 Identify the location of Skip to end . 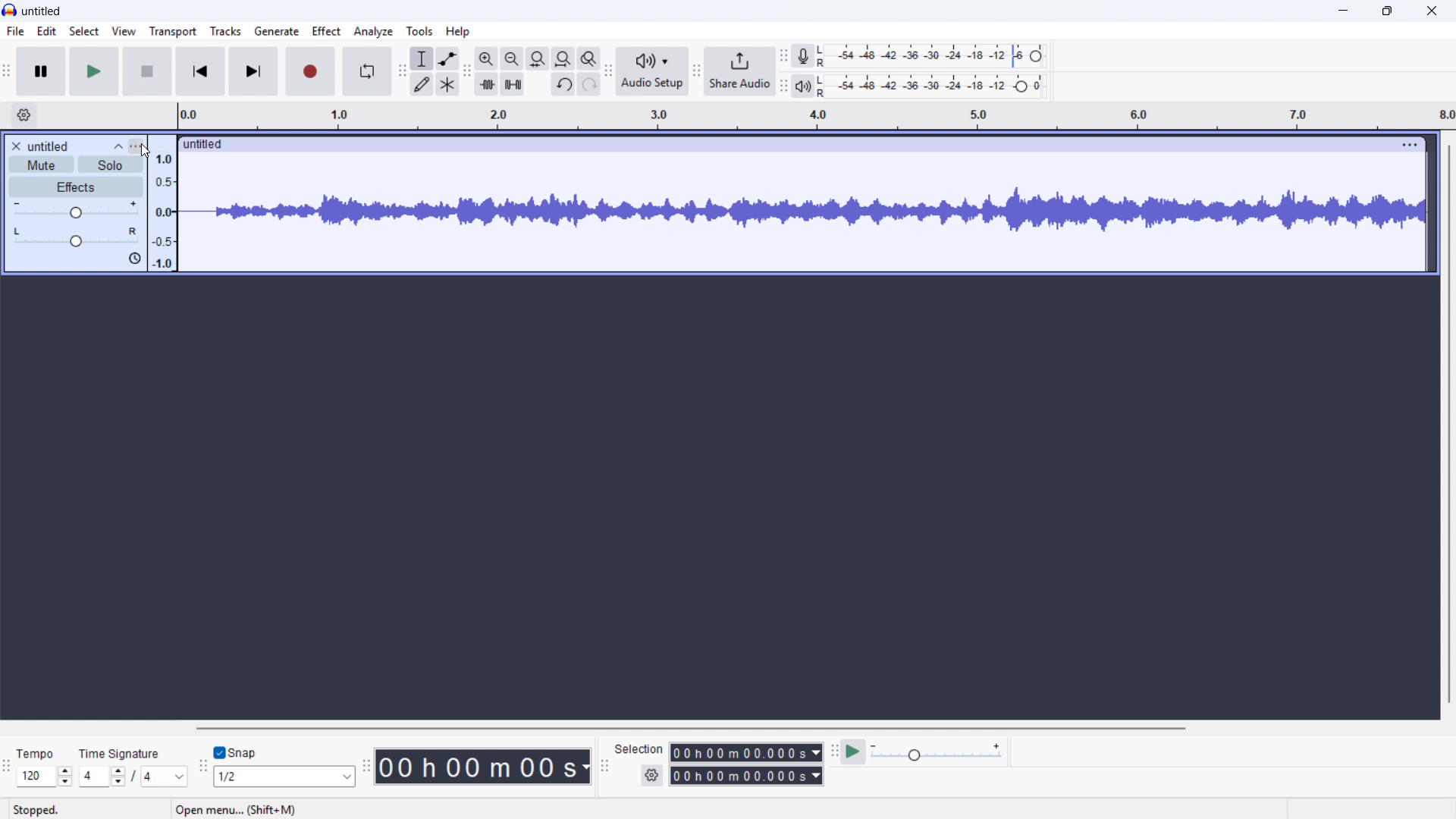
(253, 72).